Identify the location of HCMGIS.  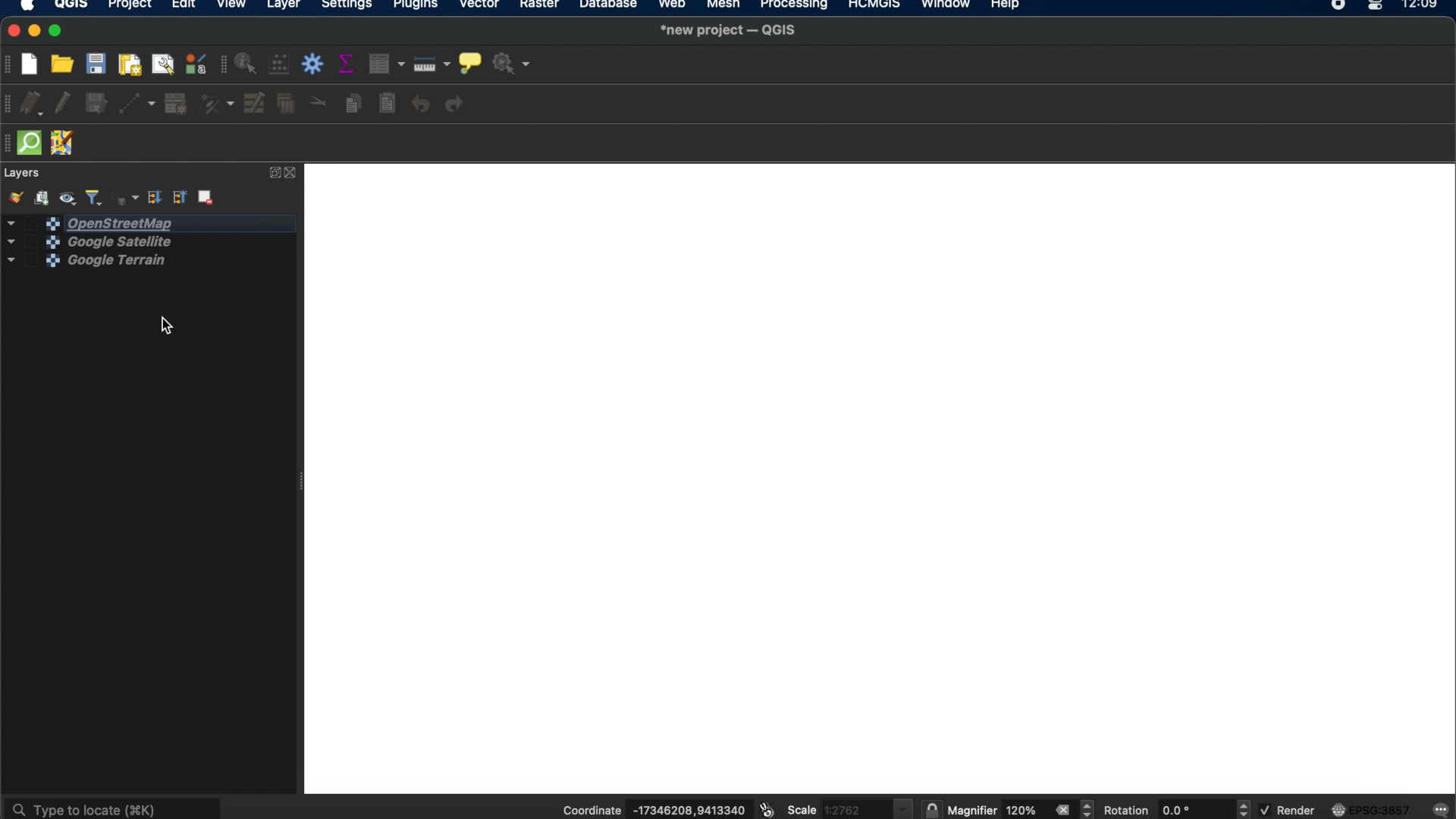
(873, 6).